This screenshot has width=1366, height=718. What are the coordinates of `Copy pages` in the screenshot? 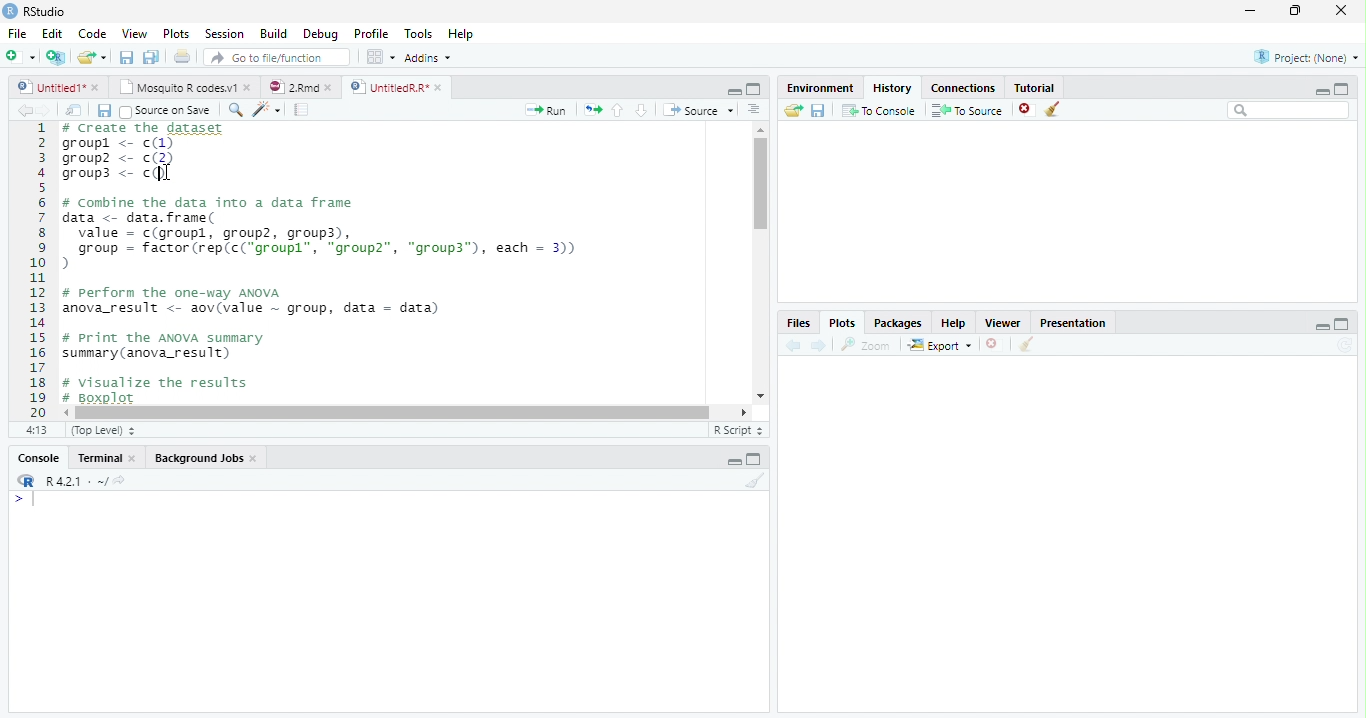 It's located at (590, 109).